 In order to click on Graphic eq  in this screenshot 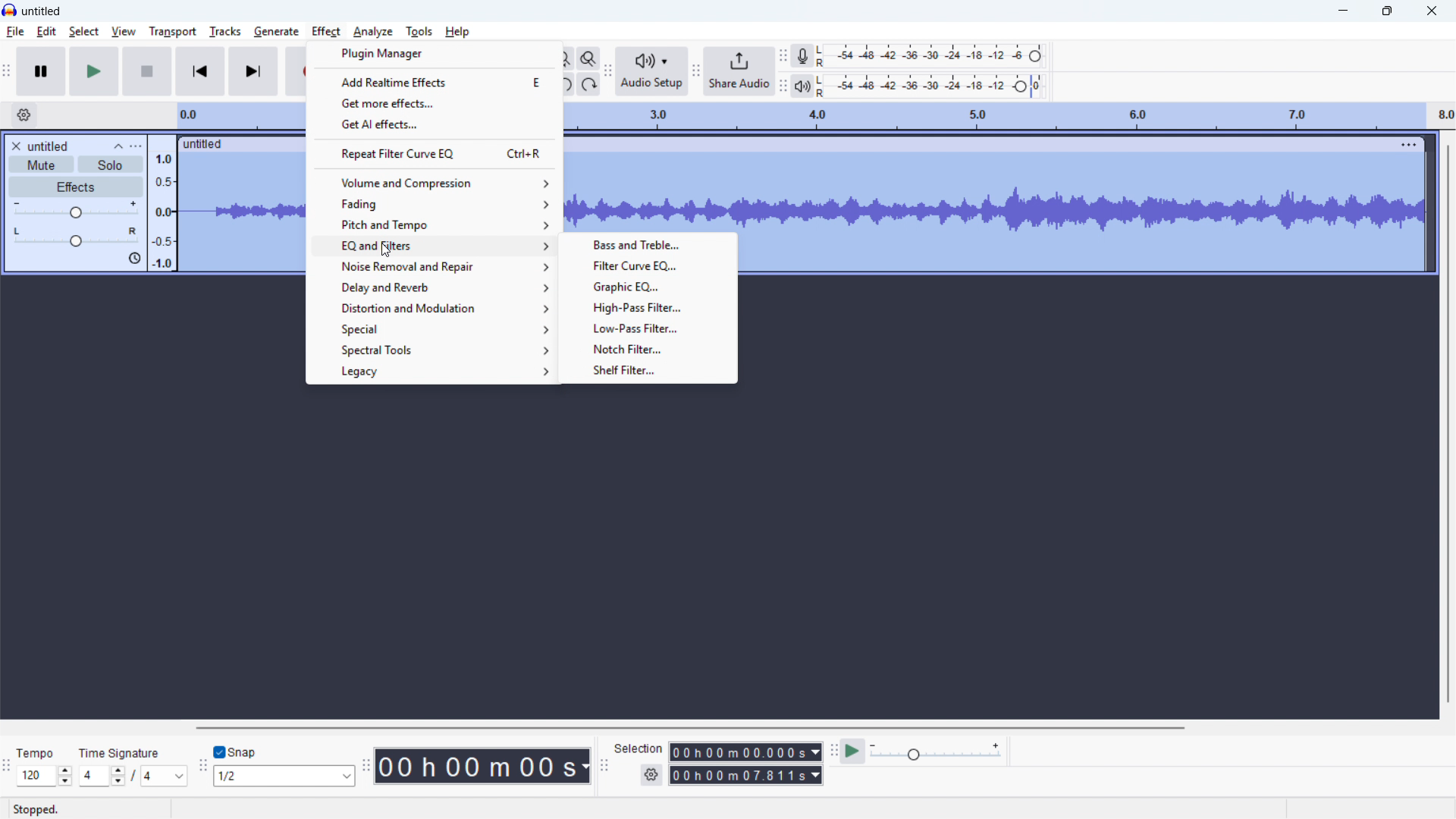, I will do `click(648, 285)`.